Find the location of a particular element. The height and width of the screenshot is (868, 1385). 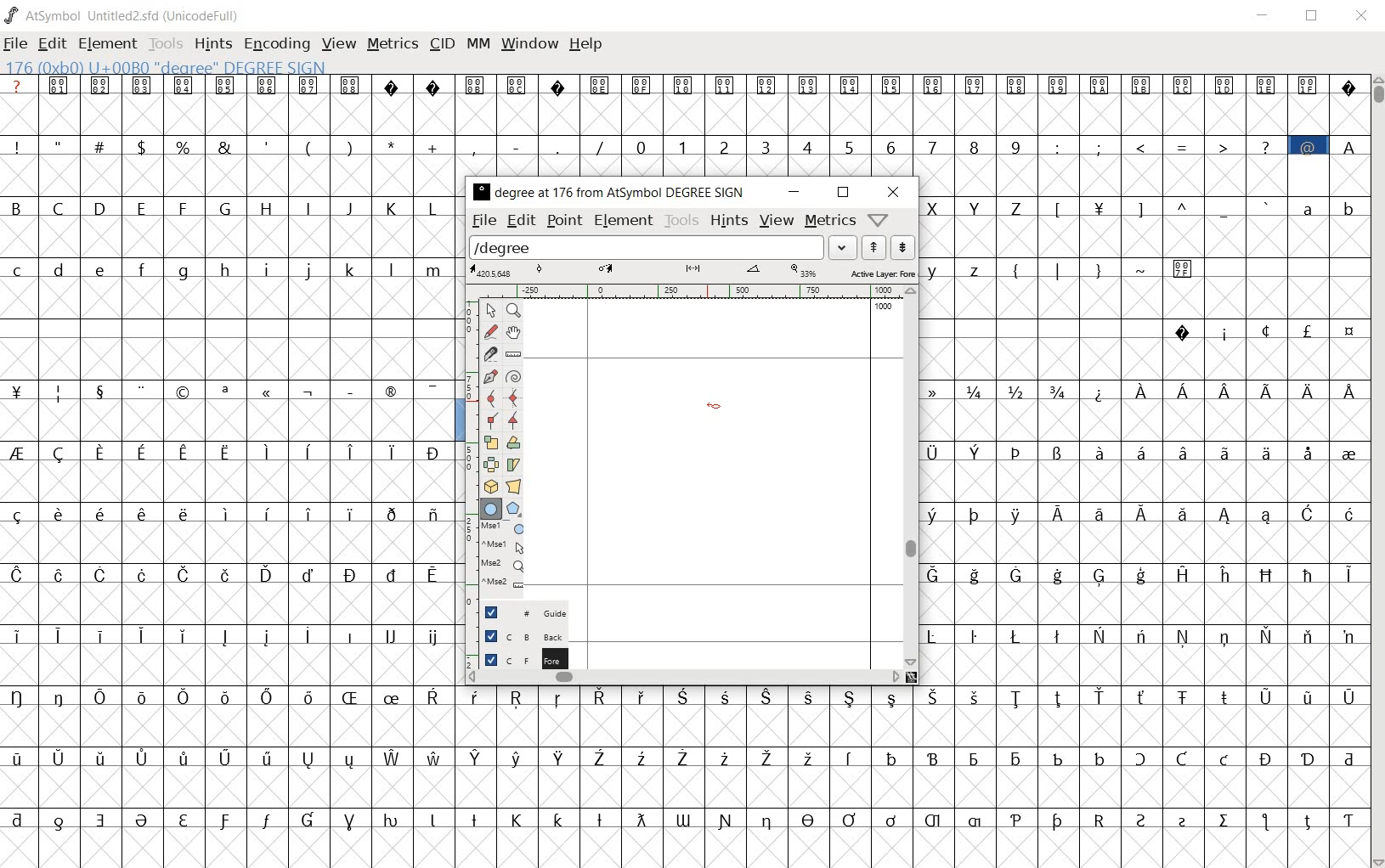

ruler is located at coordinates (682, 292).